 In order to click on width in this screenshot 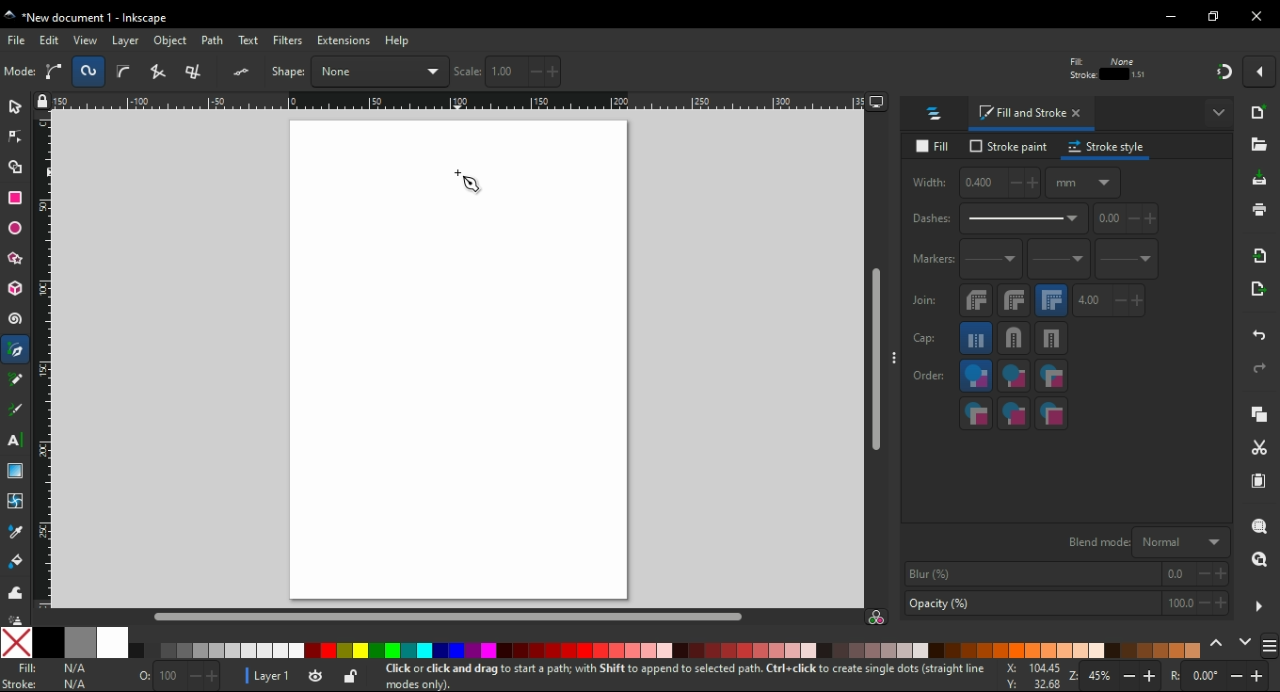, I will do `click(974, 183)`.